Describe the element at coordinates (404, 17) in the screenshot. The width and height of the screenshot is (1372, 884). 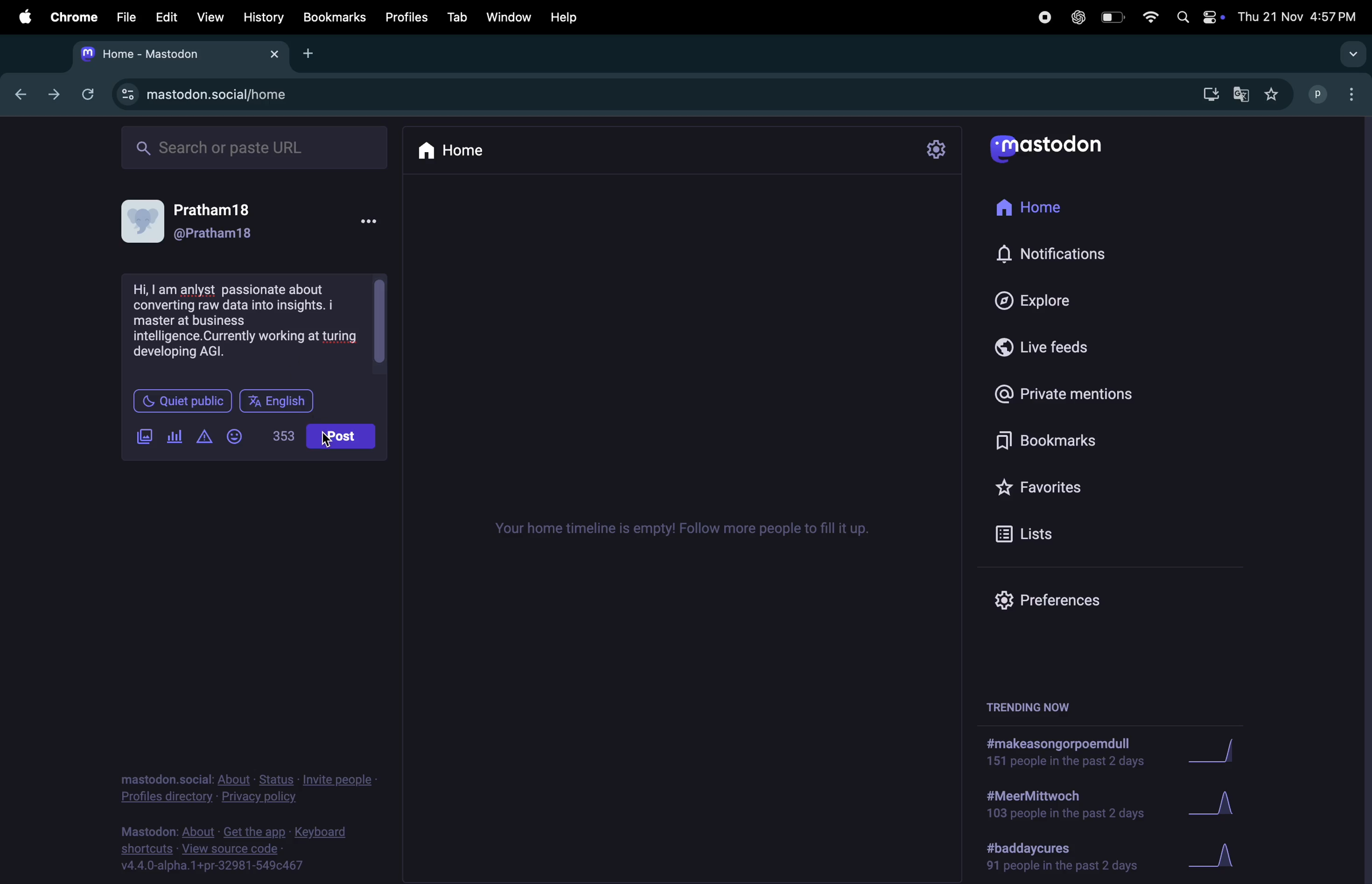
I see `profiles` at that location.